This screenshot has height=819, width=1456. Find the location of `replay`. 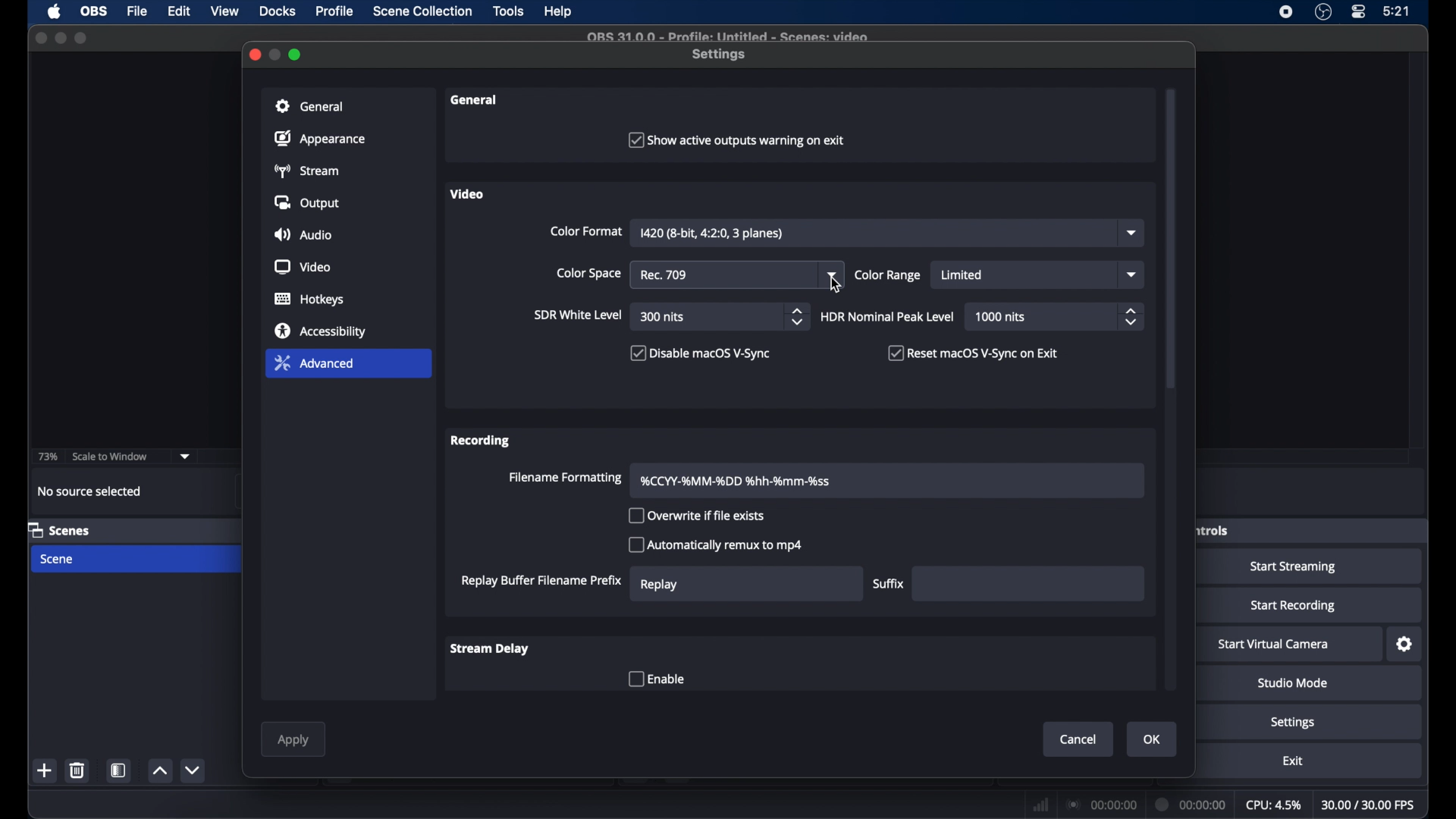

replay is located at coordinates (659, 585).